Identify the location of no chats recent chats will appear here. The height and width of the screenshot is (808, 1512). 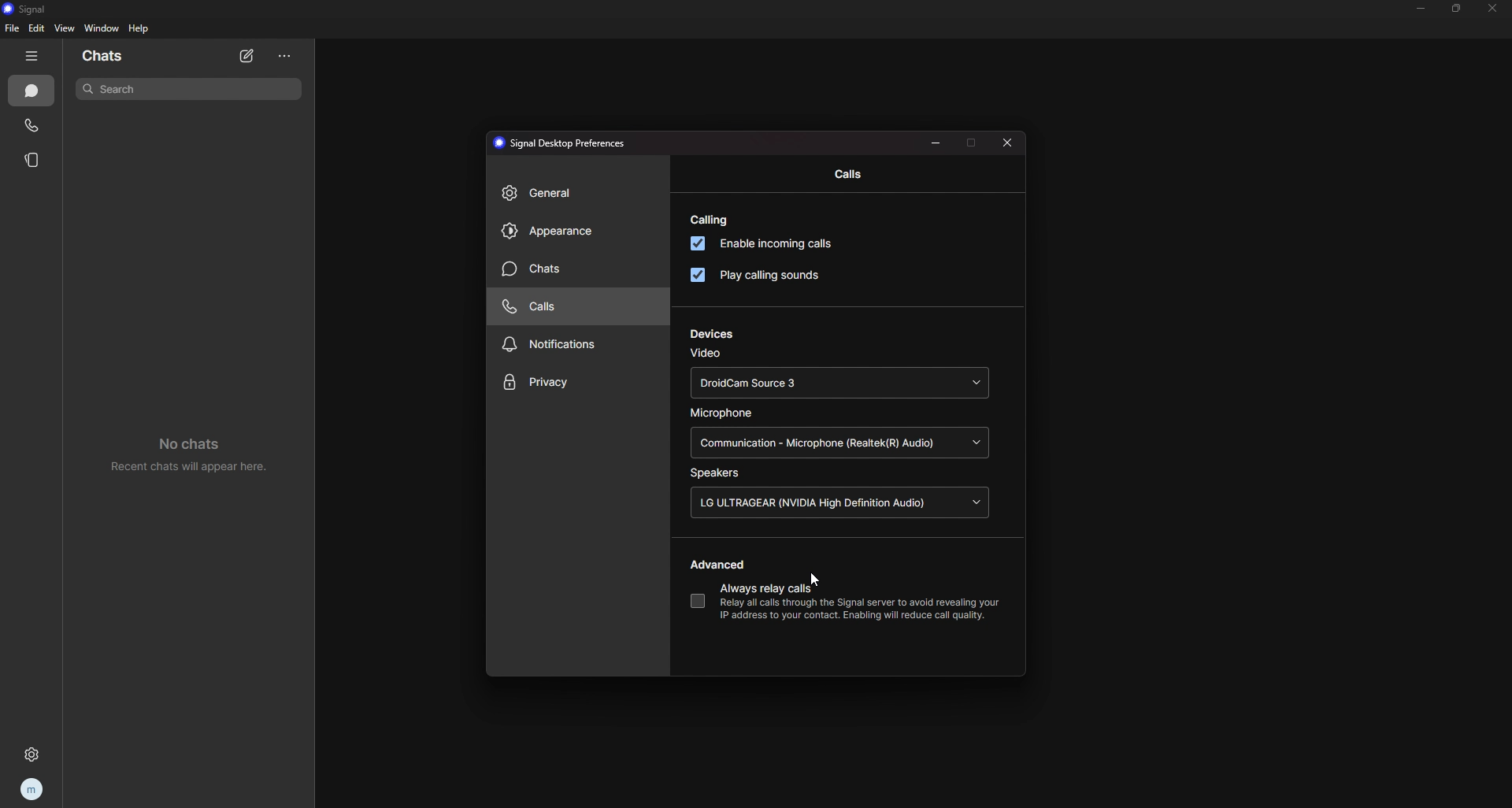
(197, 458).